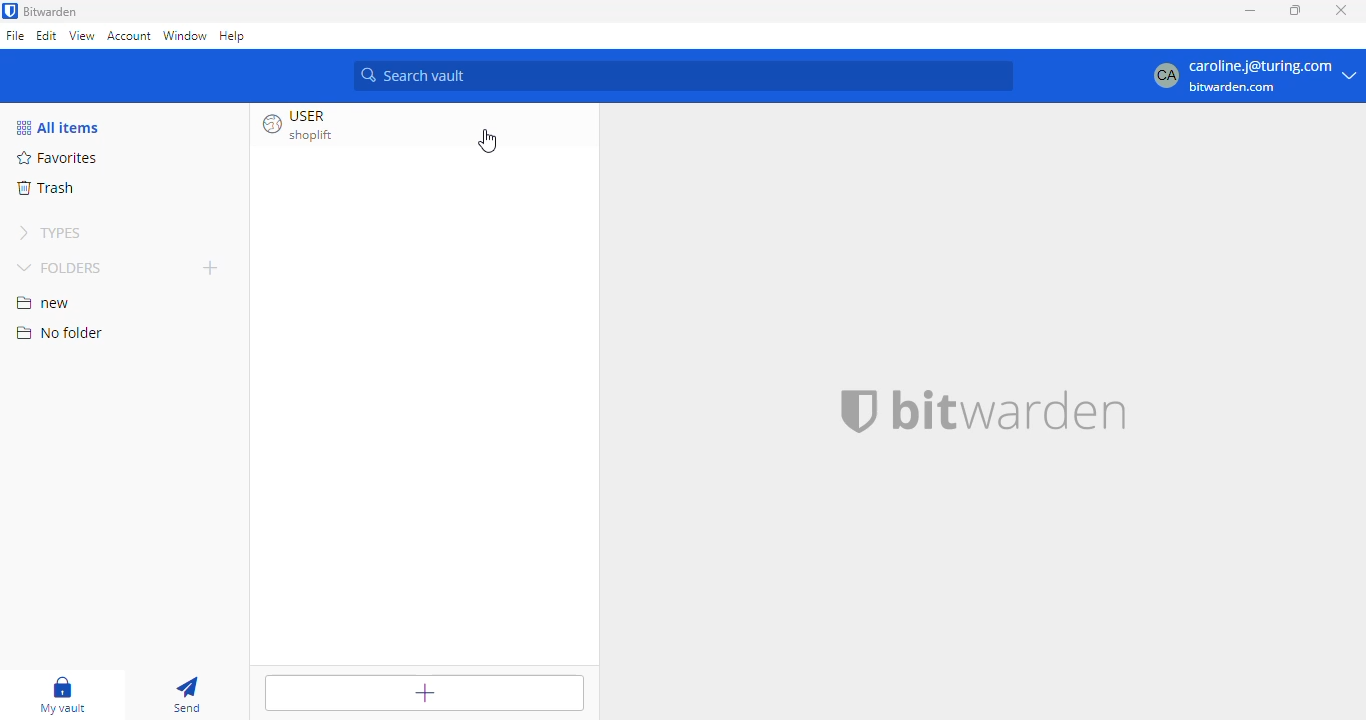 This screenshot has height=720, width=1366. What do you see at coordinates (10, 11) in the screenshot?
I see `logo` at bounding box center [10, 11].